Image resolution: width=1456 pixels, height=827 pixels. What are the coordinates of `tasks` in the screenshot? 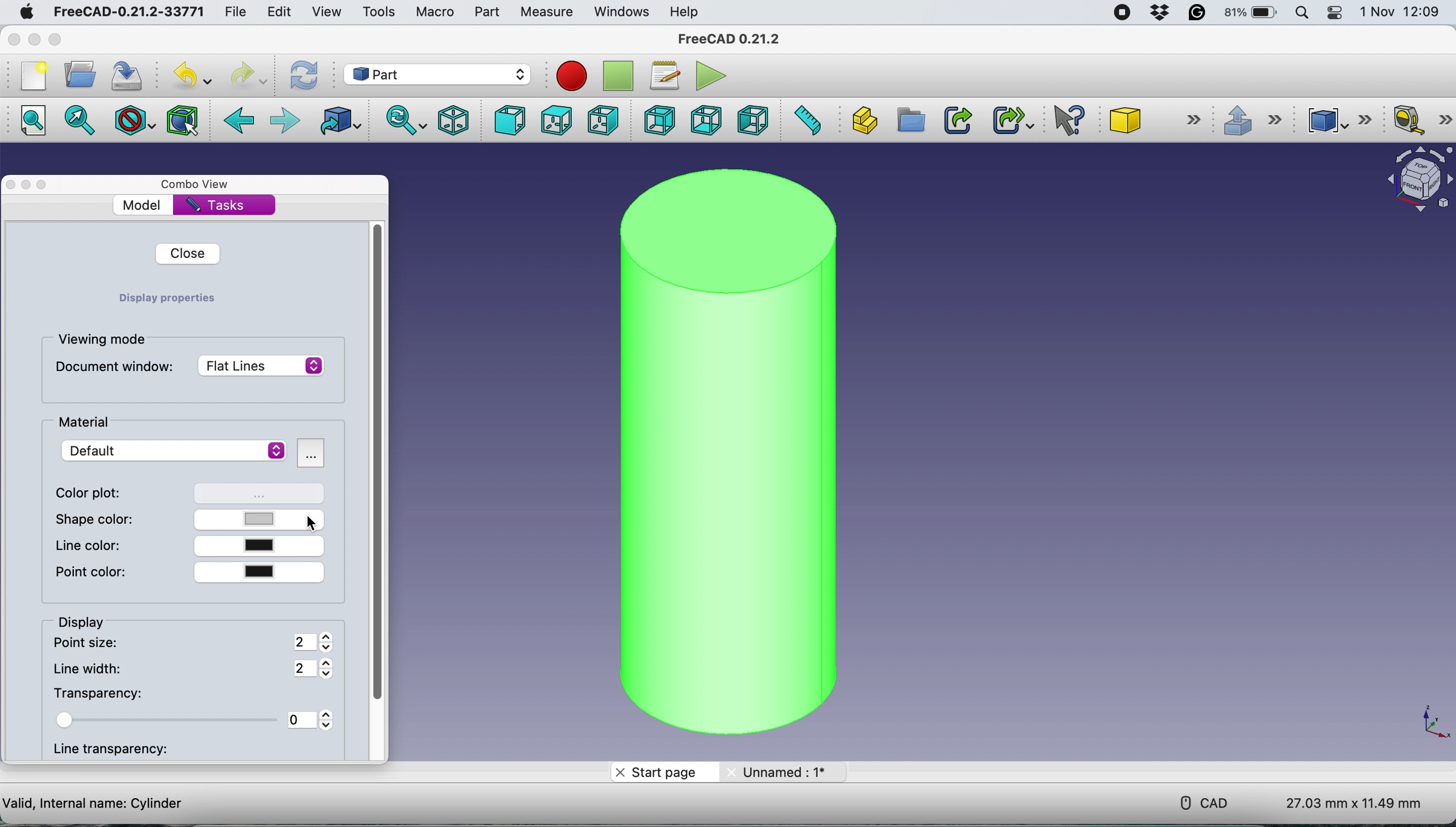 It's located at (224, 206).